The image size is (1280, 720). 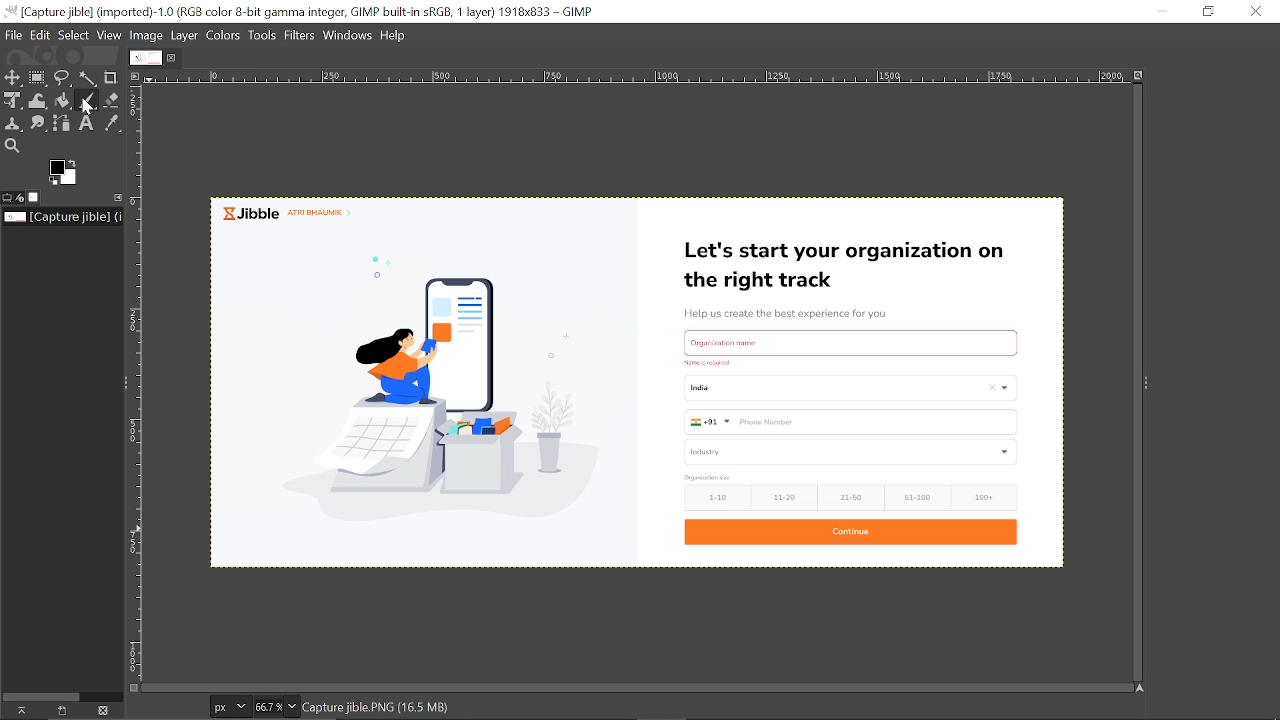 What do you see at coordinates (1146, 383) in the screenshot?
I see `Expand` at bounding box center [1146, 383].